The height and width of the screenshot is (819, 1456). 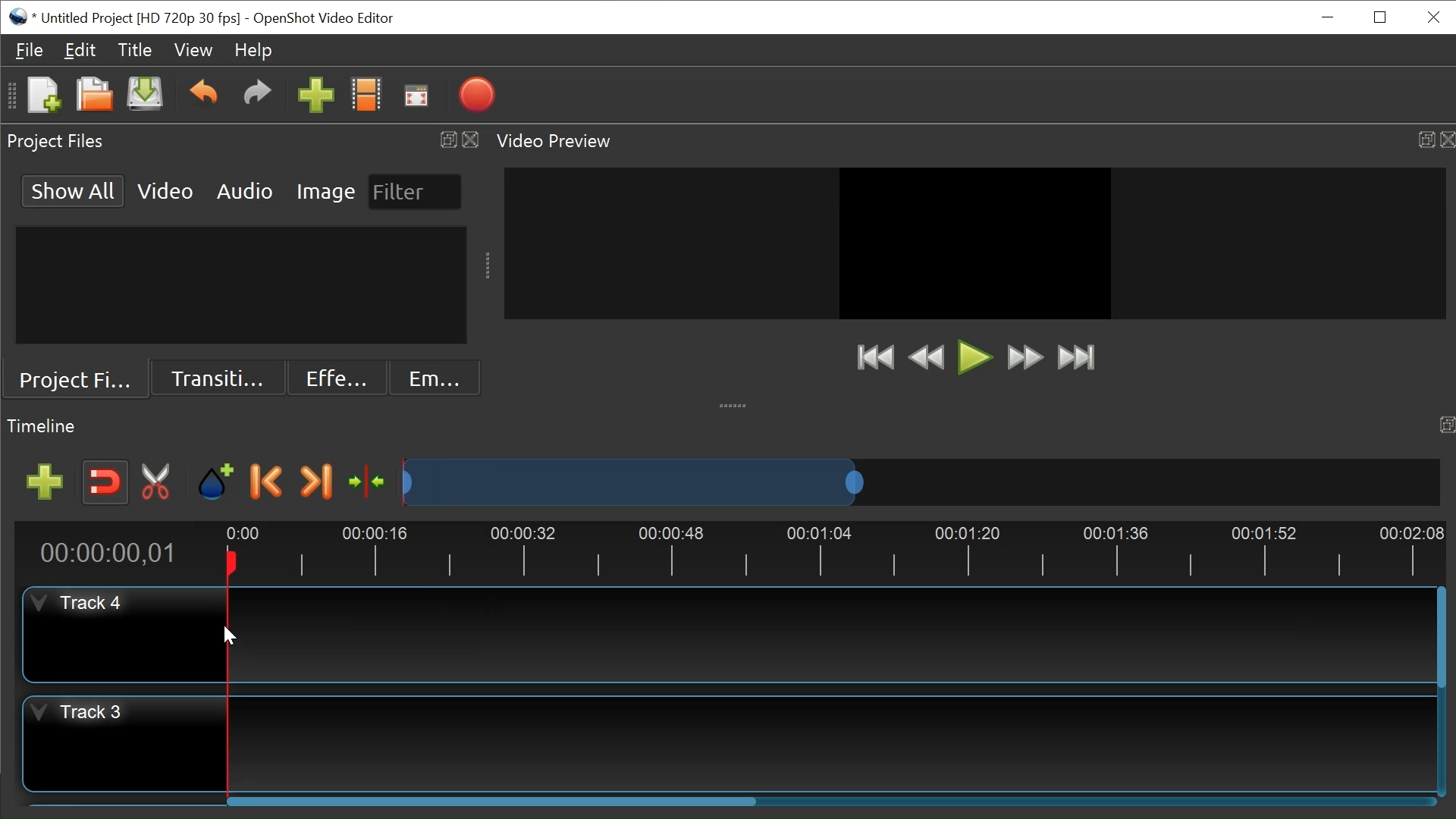 What do you see at coordinates (124, 18) in the screenshot?
I see `File Name` at bounding box center [124, 18].